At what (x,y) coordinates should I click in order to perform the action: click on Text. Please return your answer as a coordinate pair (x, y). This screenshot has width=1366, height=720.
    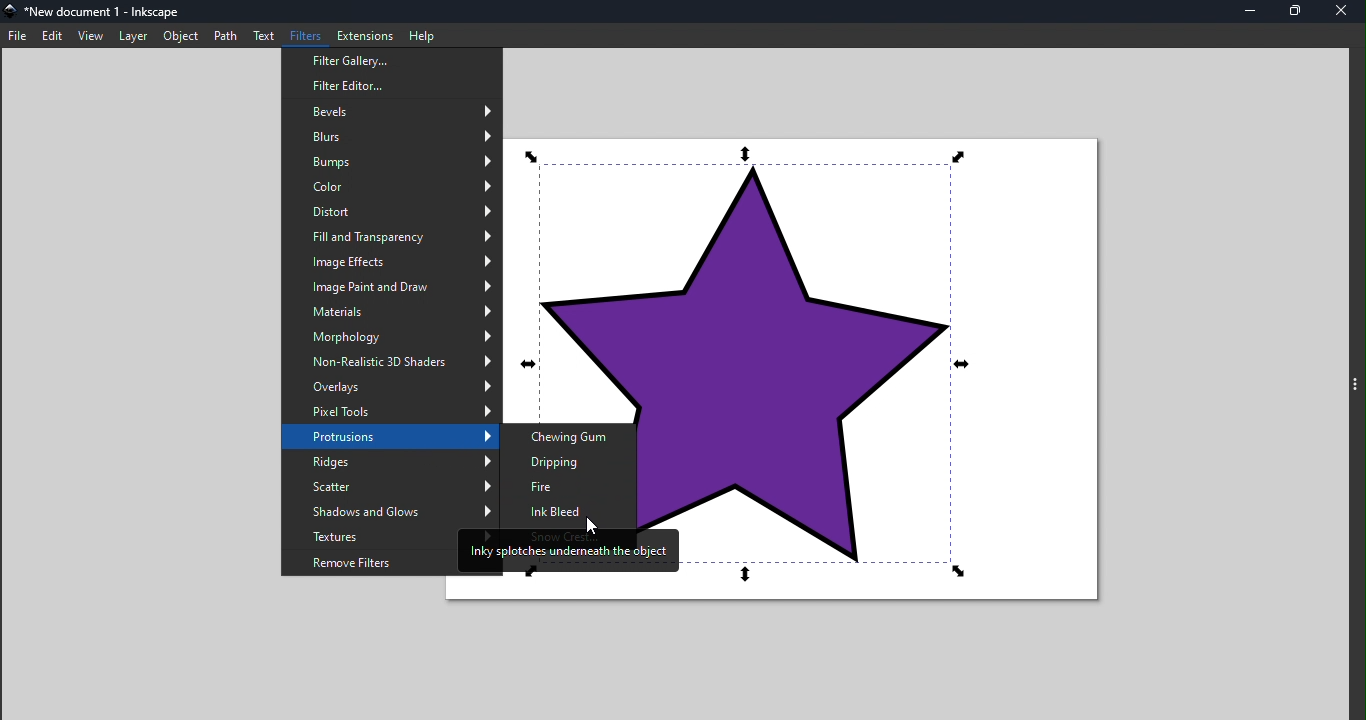
    Looking at the image, I should click on (266, 35).